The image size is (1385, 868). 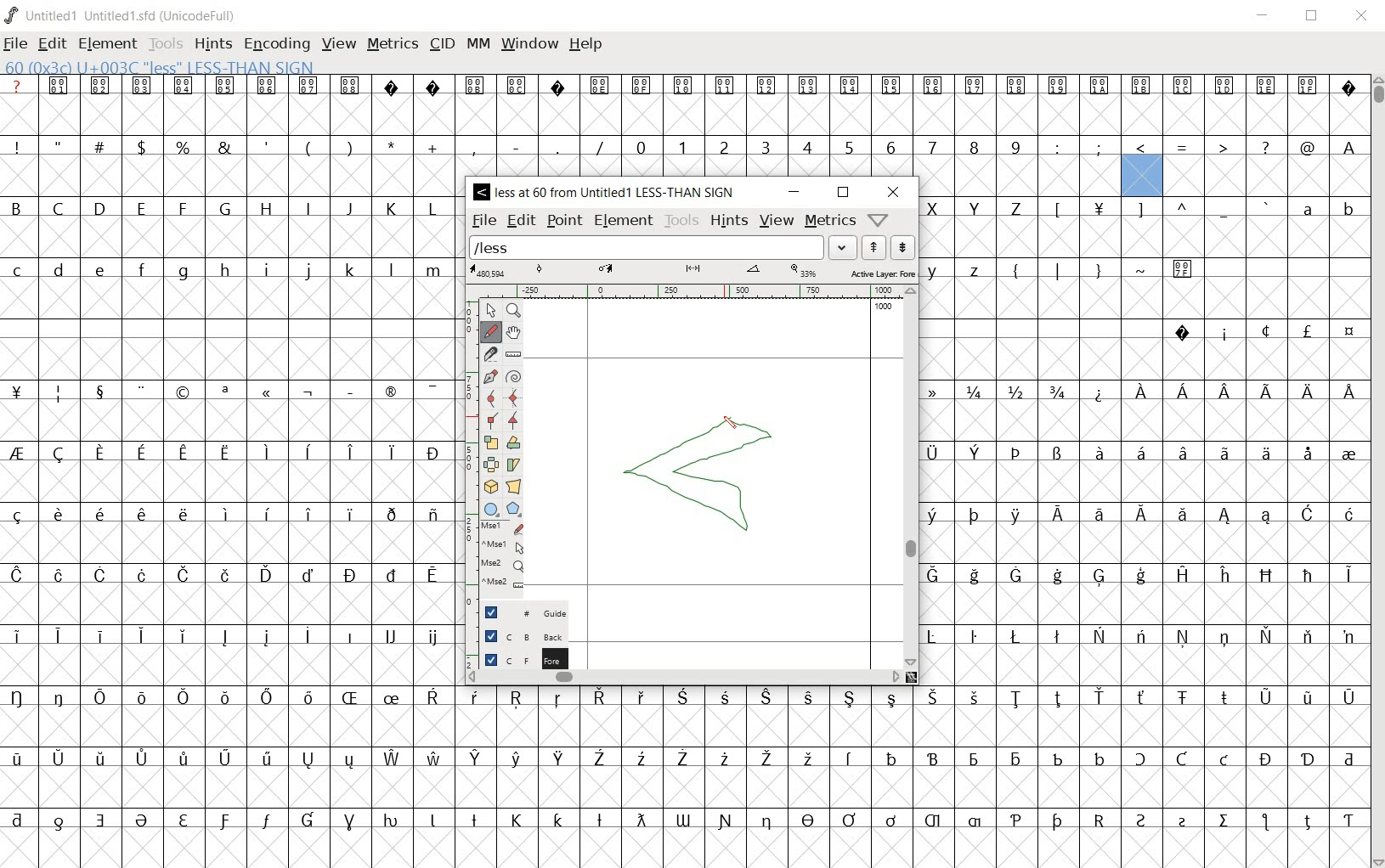 What do you see at coordinates (484, 220) in the screenshot?
I see `file` at bounding box center [484, 220].